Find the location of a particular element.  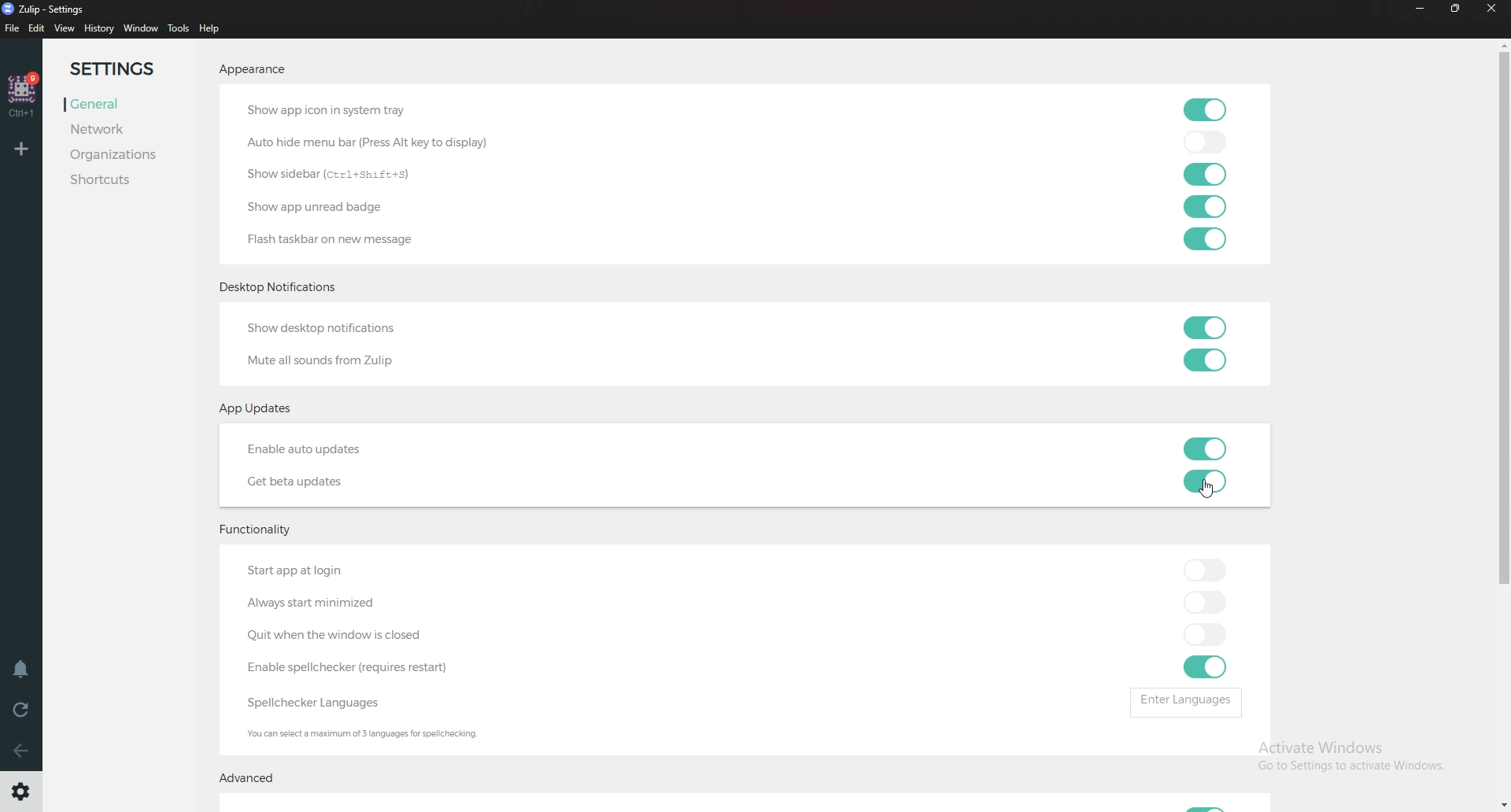

Advanced is located at coordinates (256, 777).